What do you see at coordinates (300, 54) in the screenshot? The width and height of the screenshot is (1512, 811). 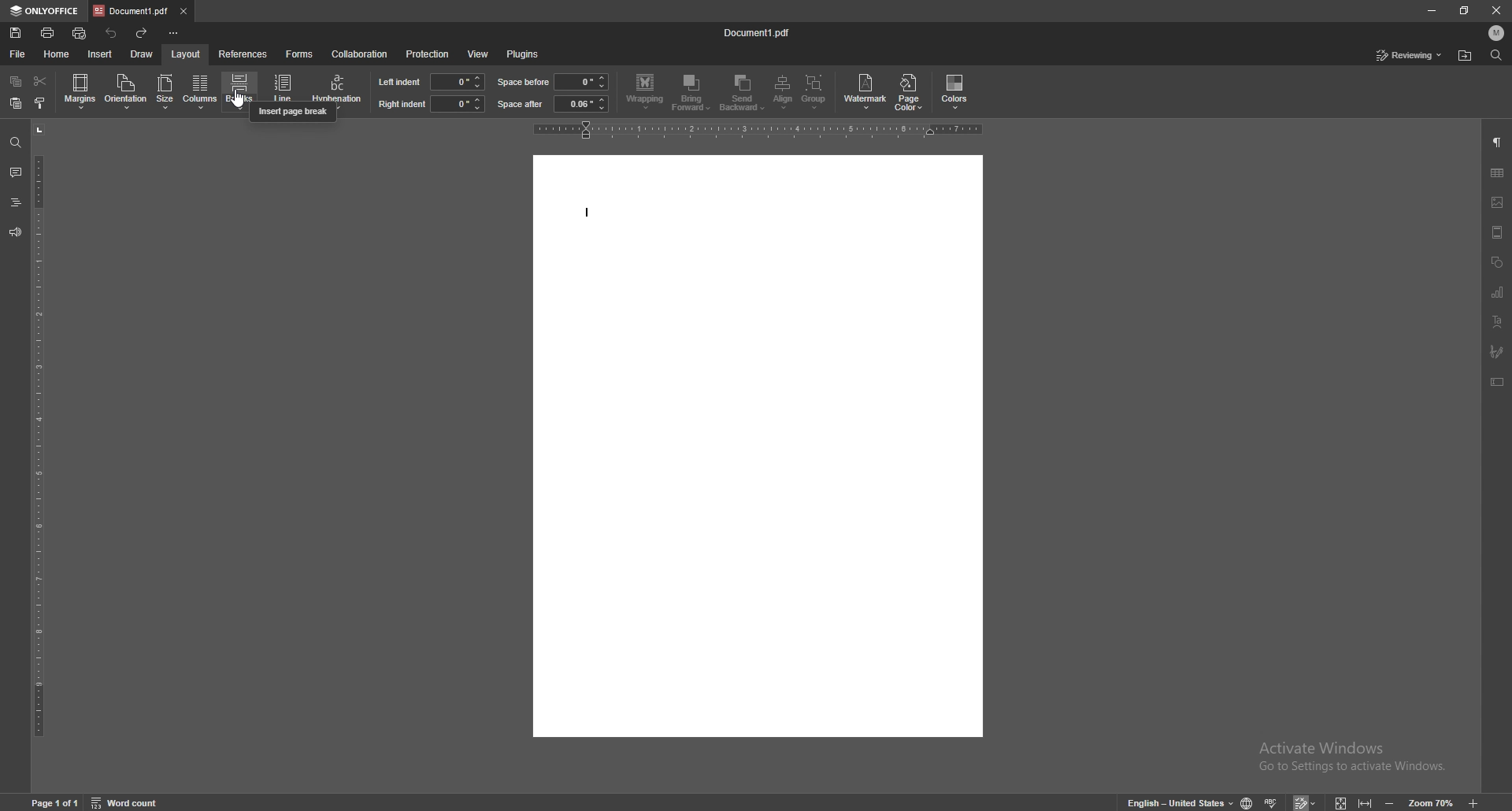 I see `forms` at bounding box center [300, 54].